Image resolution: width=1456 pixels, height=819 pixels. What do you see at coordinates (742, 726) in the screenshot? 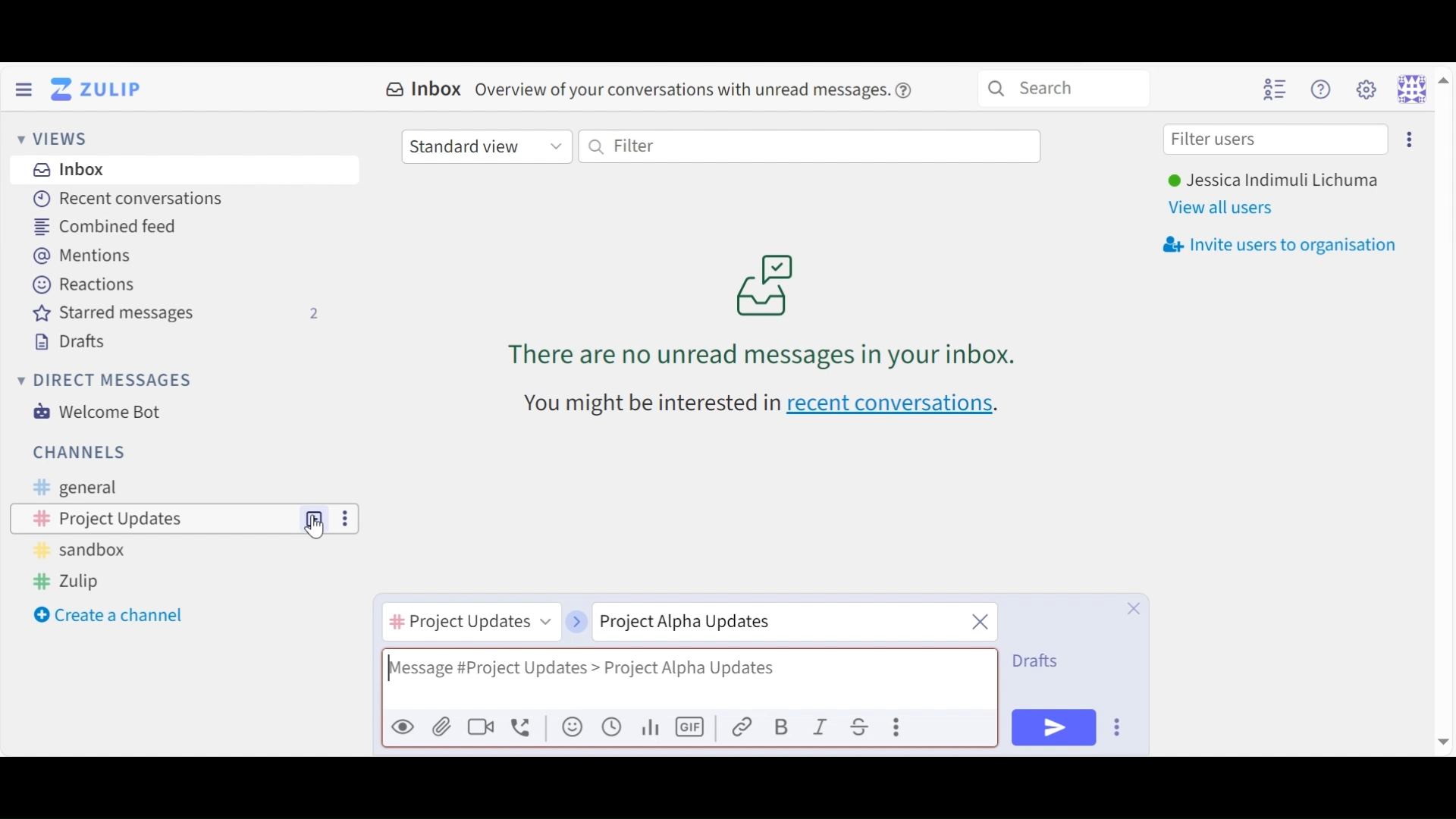
I see `link` at bounding box center [742, 726].